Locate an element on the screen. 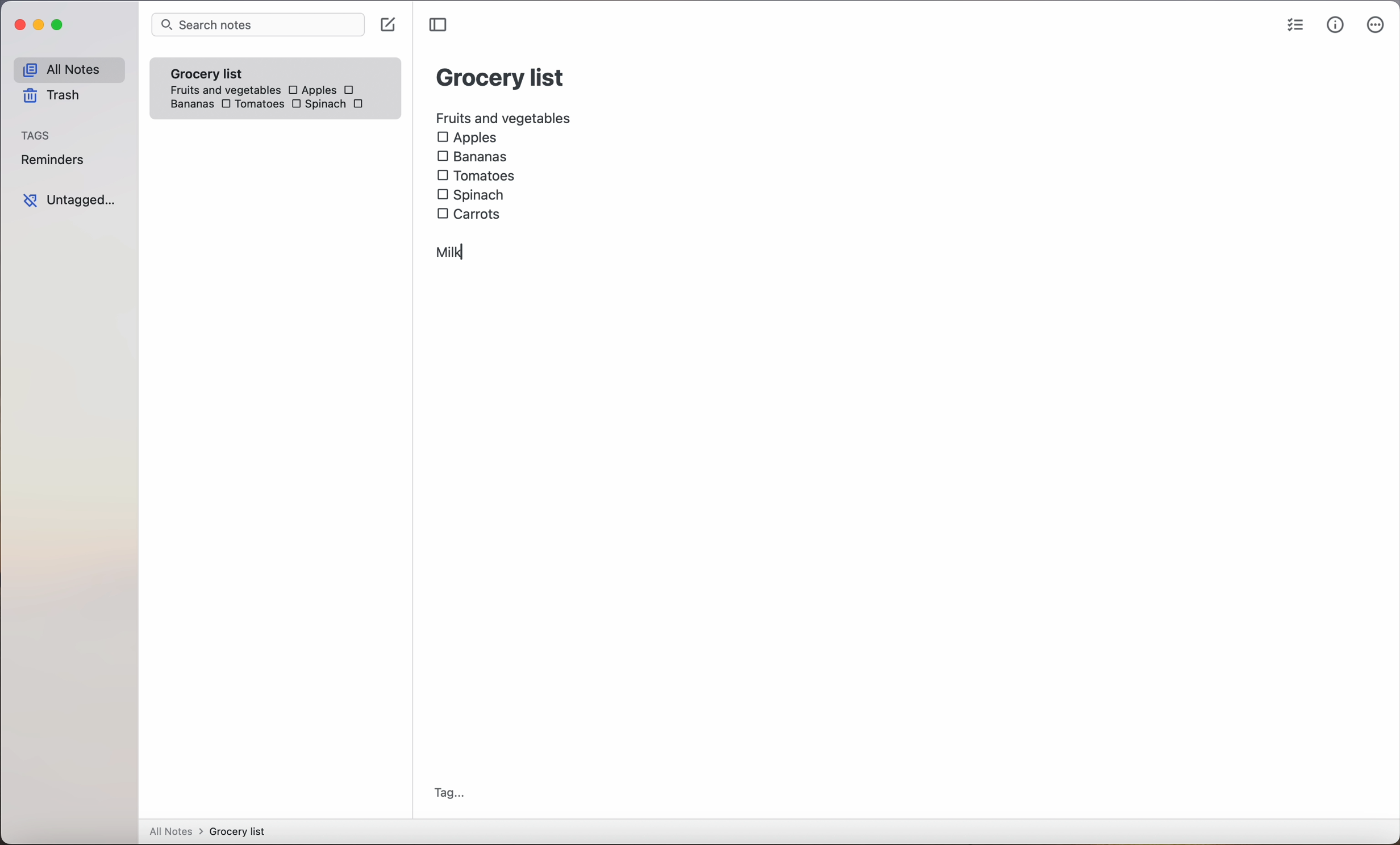  more options is located at coordinates (1376, 27).